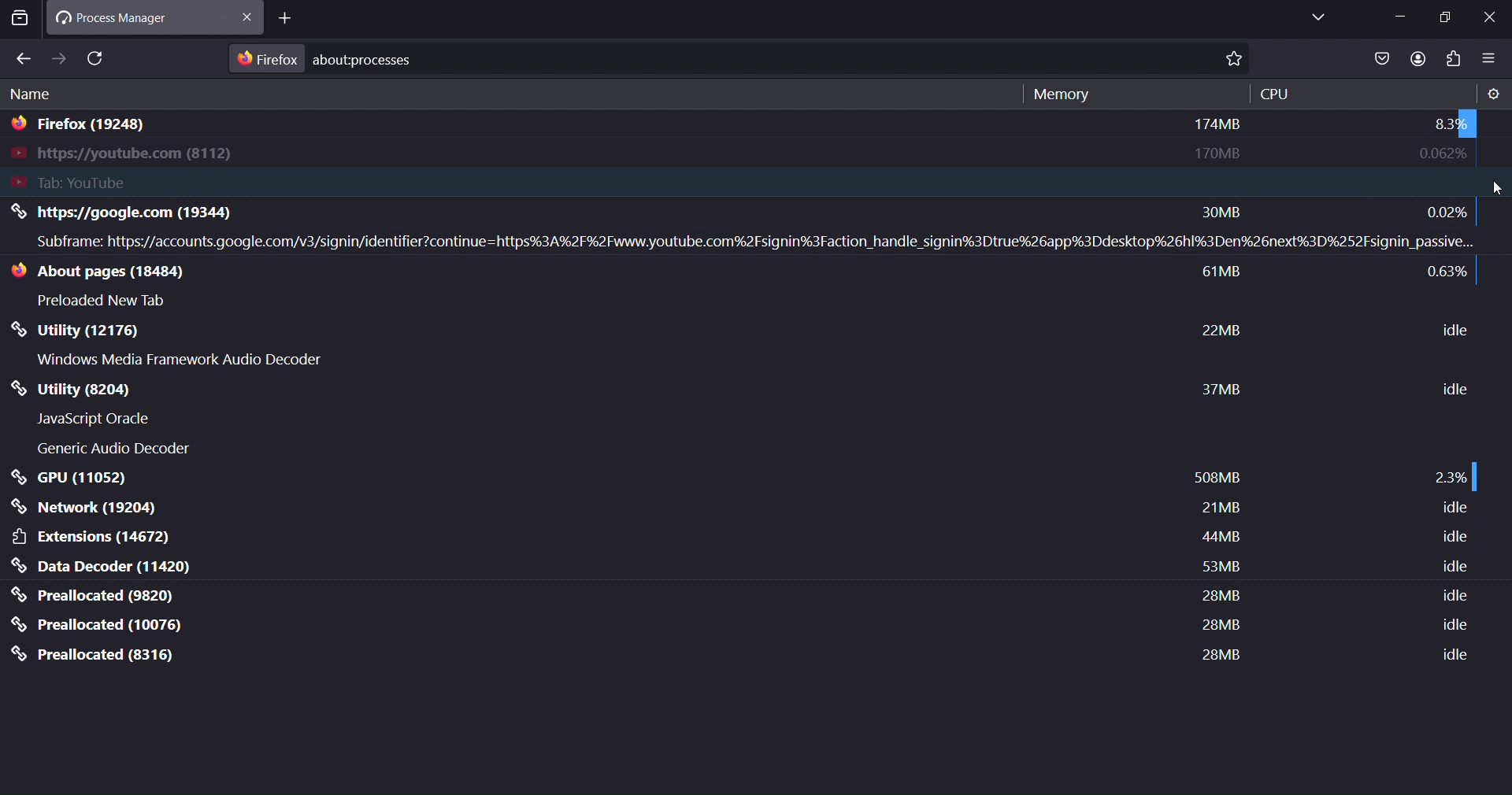 Image resolution: width=1512 pixels, height=795 pixels. I want to click on cursor, so click(1499, 189).